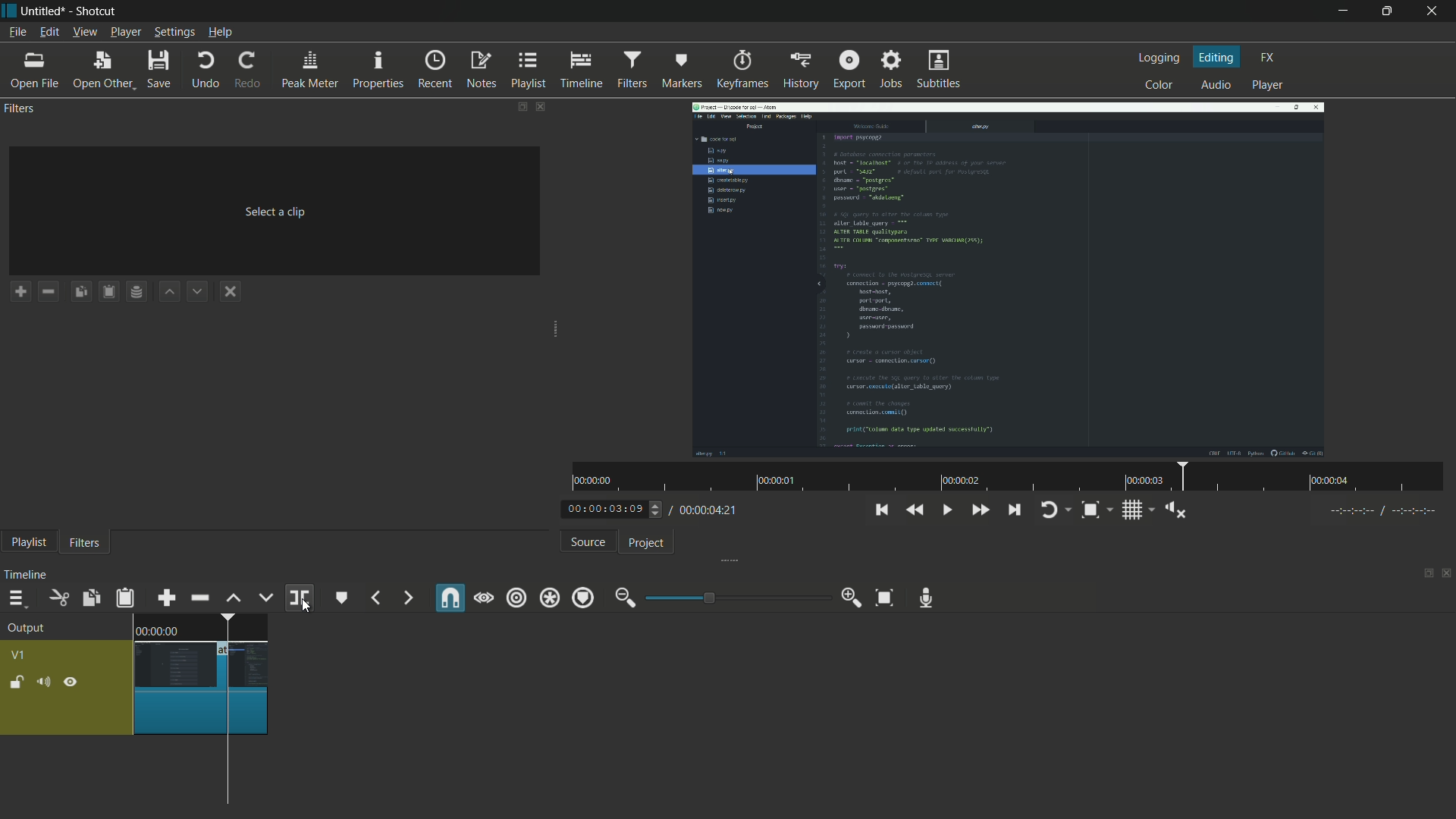 This screenshot has width=1456, height=819. Describe the element at coordinates (1009, 279) in the screenshot. I see `imported file` at that location.